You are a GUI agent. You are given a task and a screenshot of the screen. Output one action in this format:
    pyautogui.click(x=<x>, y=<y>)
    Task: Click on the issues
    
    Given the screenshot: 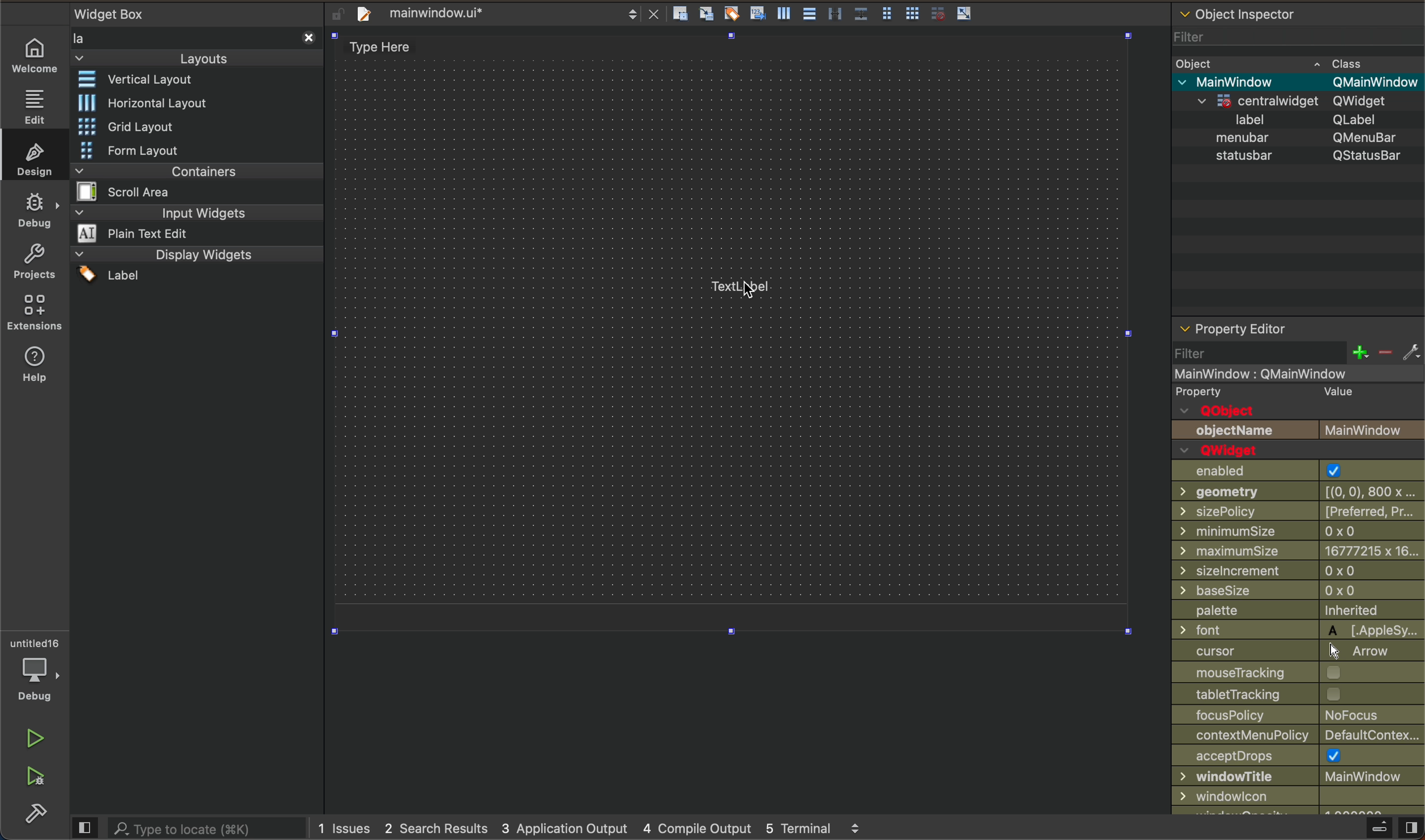 What is the action you would take?
    pyautogui.click(x=343, y=825)
    